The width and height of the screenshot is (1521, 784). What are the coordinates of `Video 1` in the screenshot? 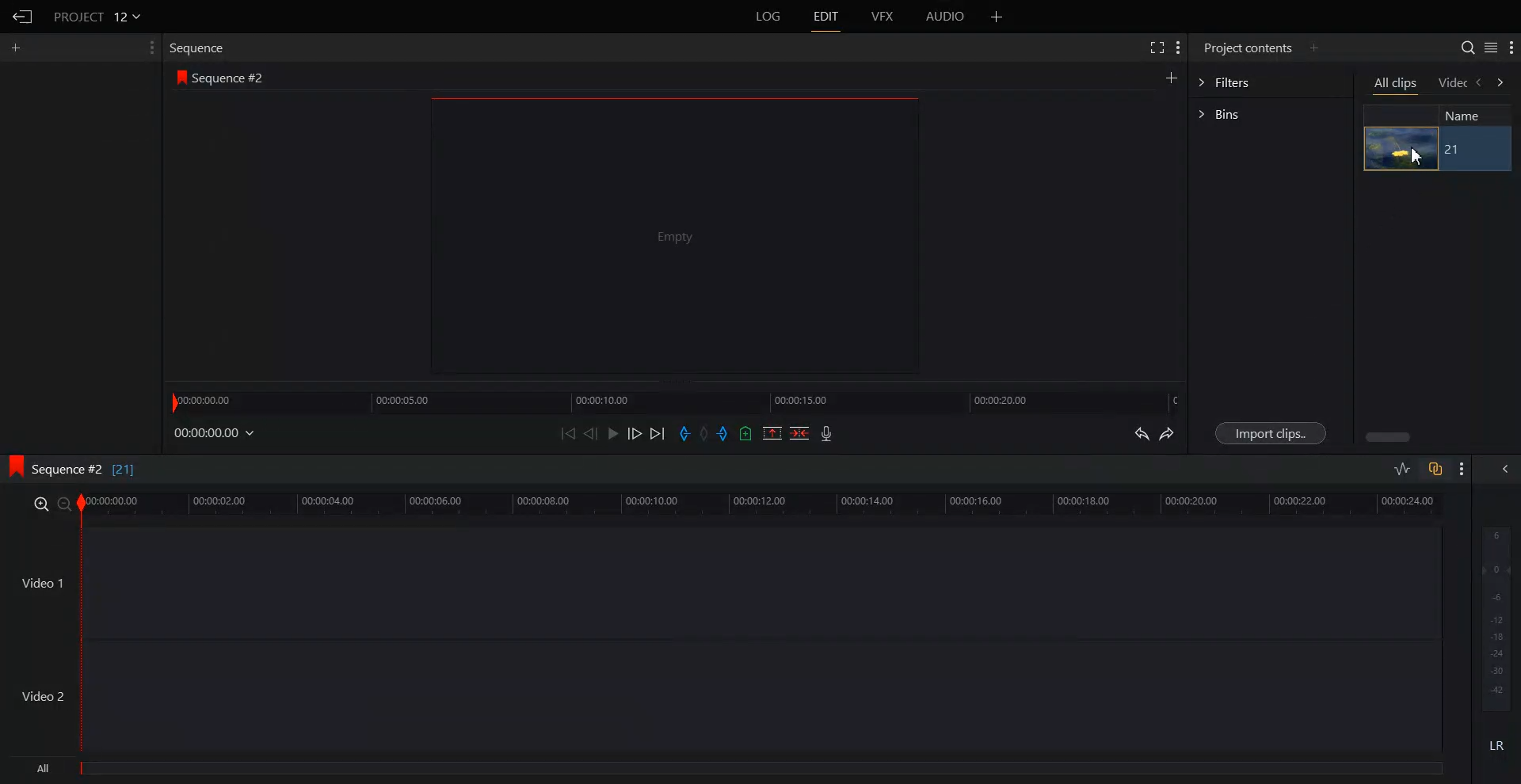 It's located at (761, 582).